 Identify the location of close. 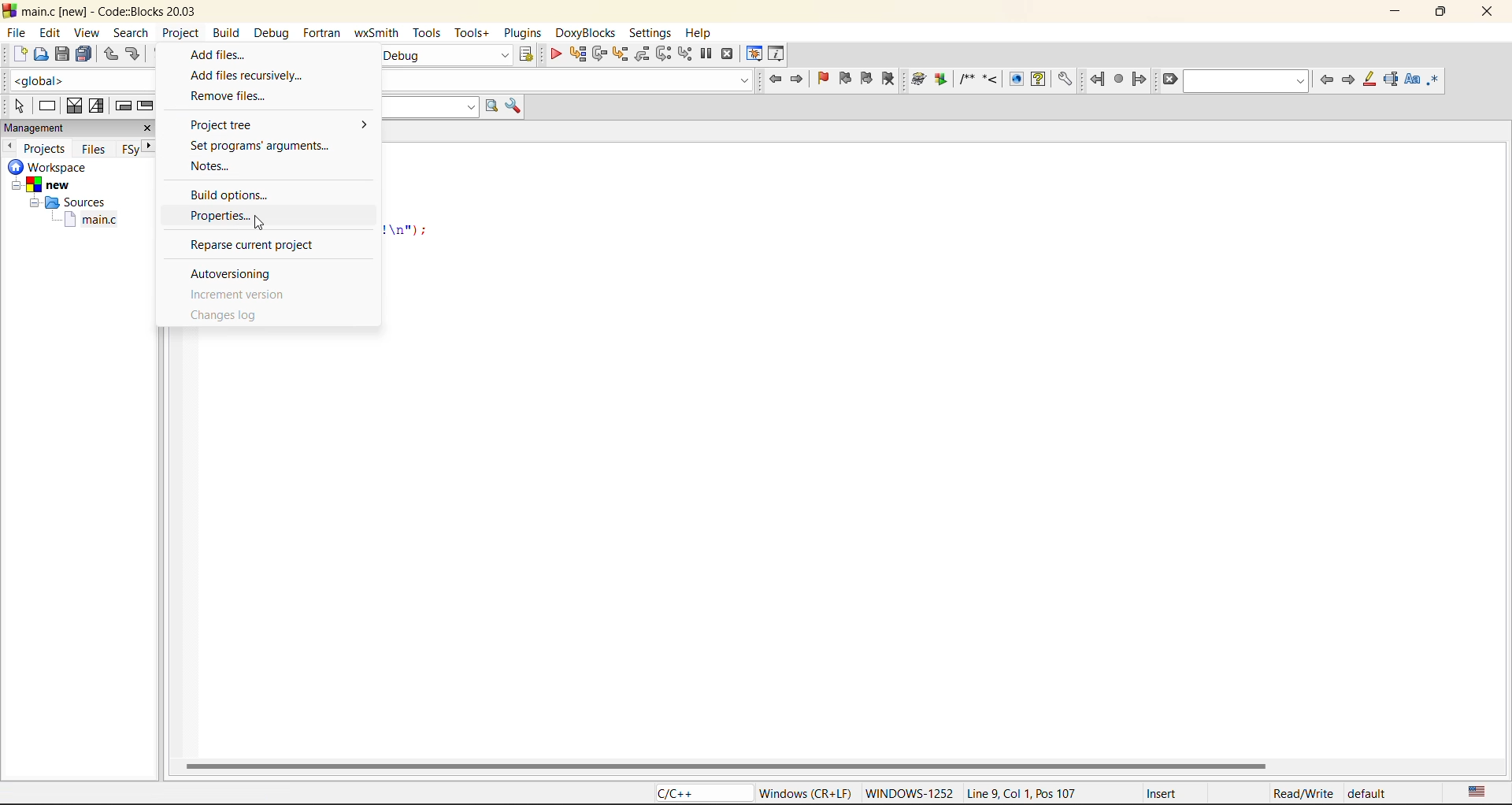
(150, 128).